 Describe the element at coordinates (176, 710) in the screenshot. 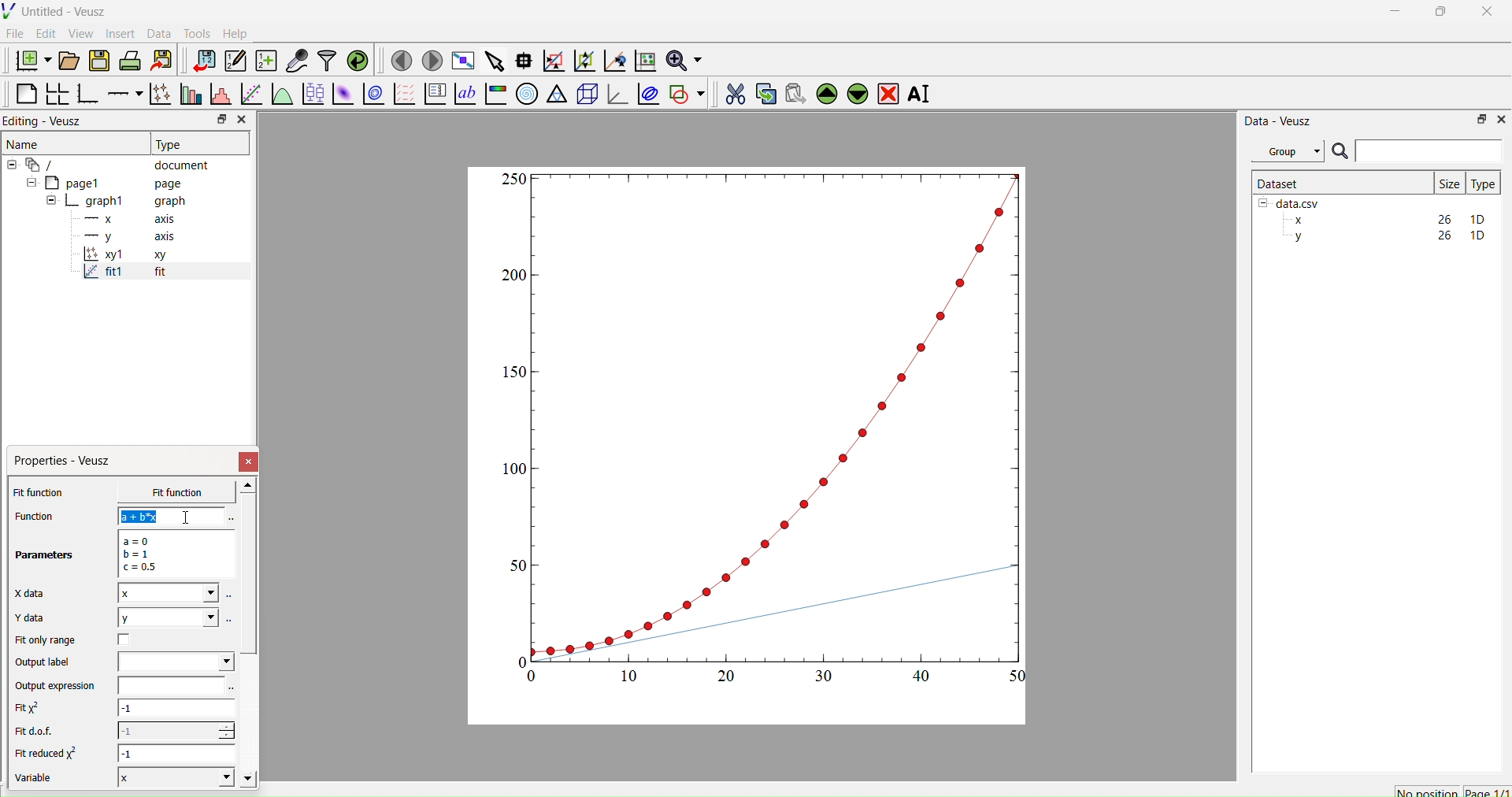

I see `-1` at that location.